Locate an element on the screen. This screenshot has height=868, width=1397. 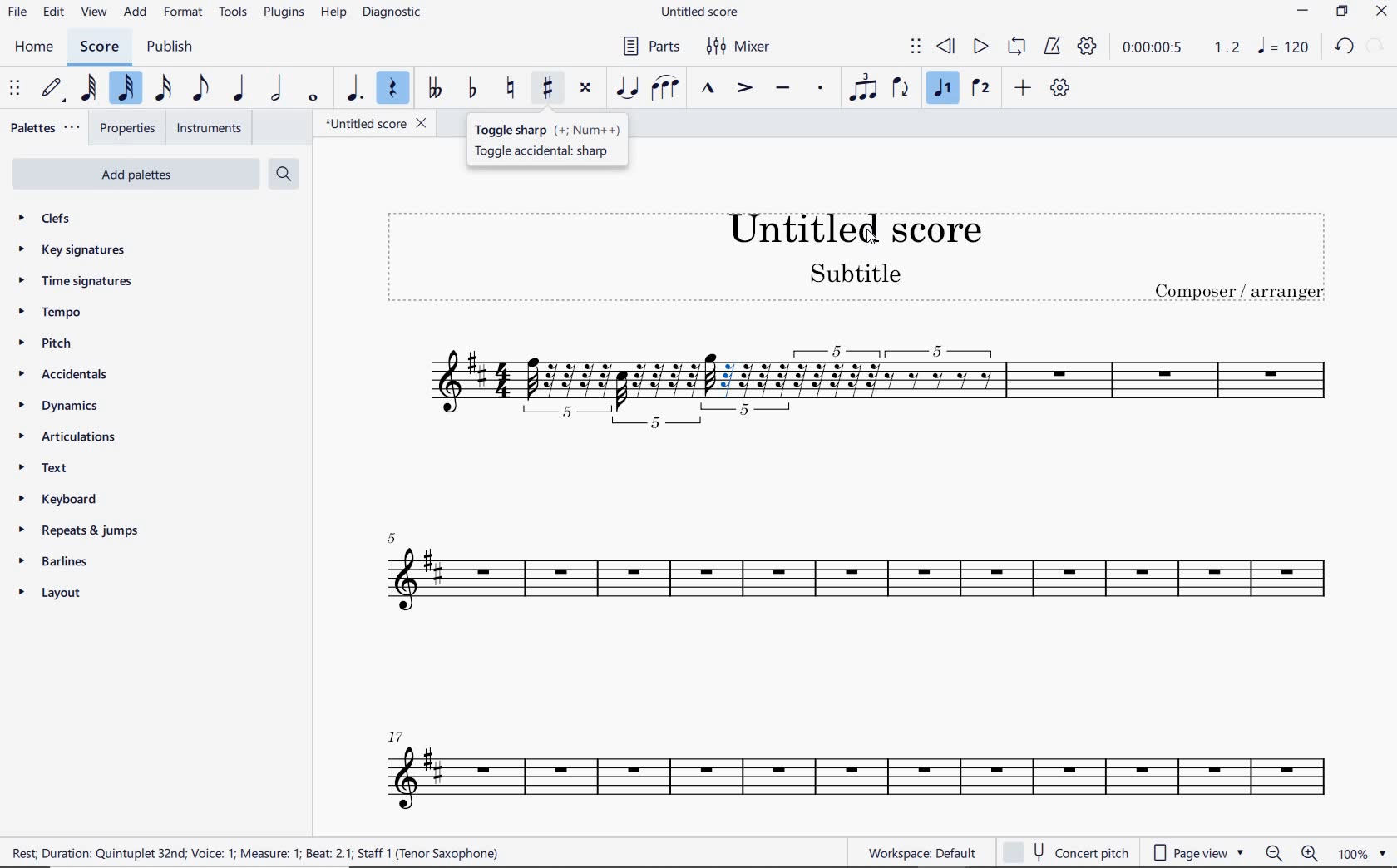
TEMPO is located at coordinates (77, 313).